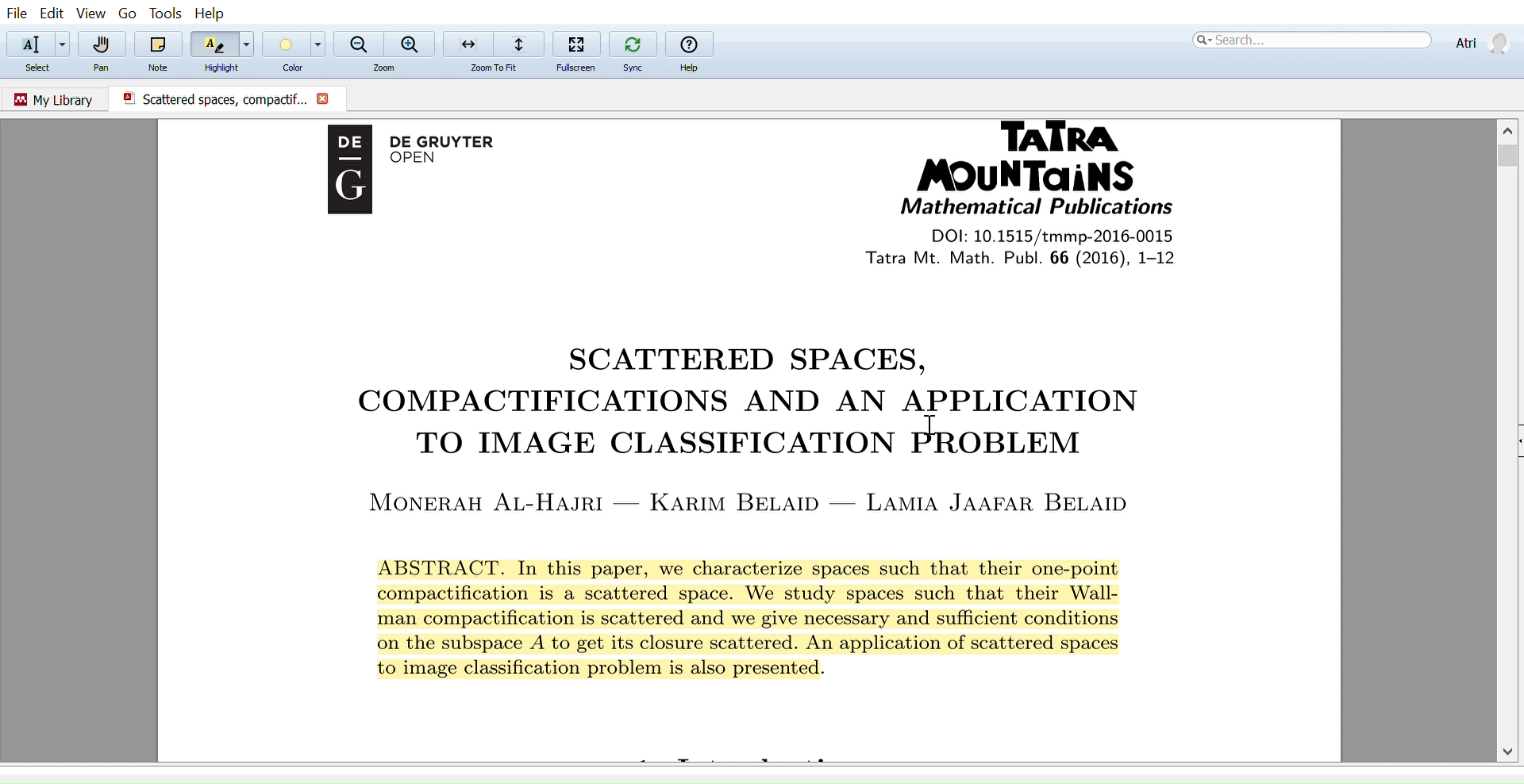 Image resolution: width=1524 pixels, height=784 pixels. I want to click on Sync, so click(633, 67).